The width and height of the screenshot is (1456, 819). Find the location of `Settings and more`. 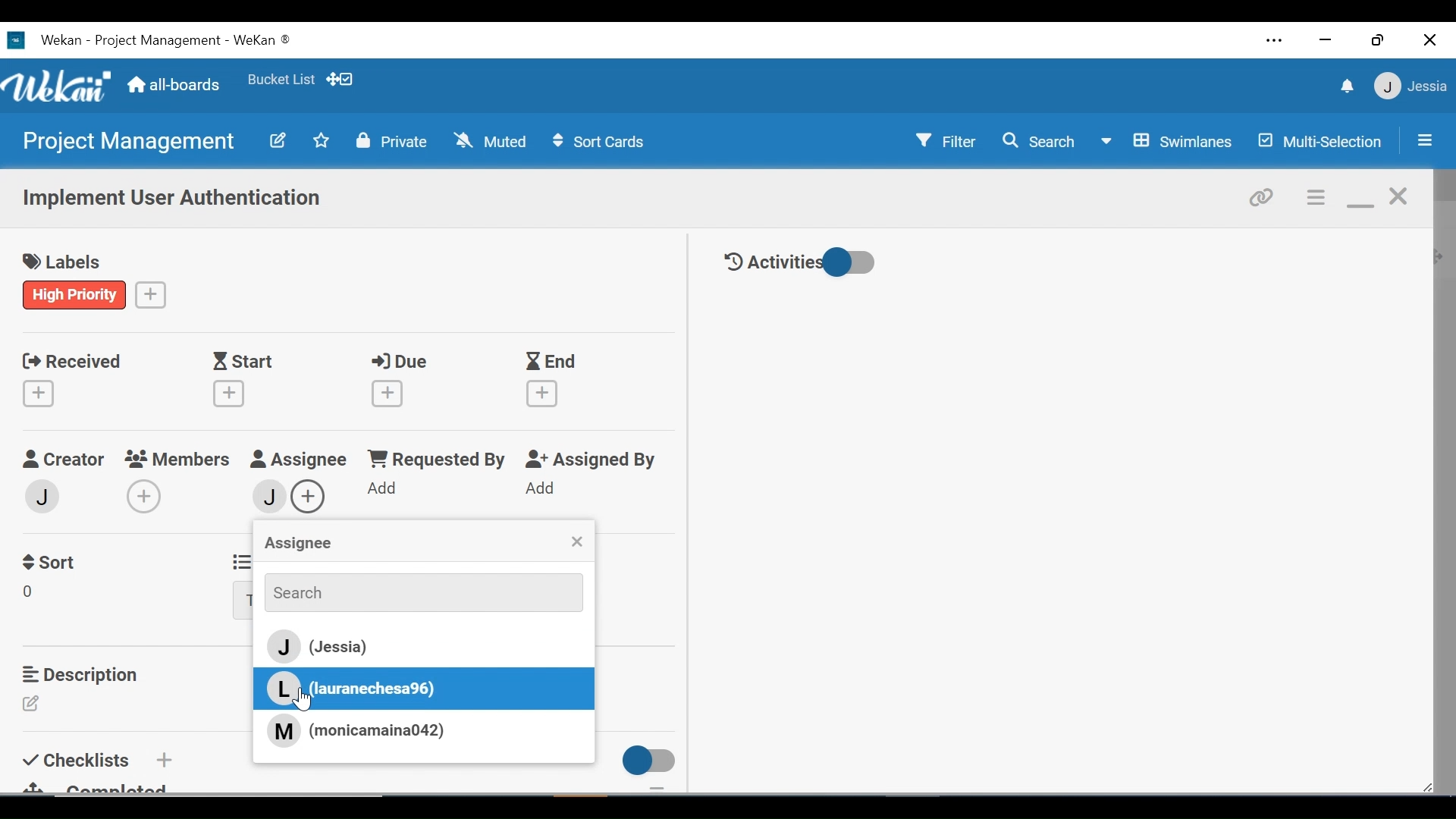

Settings and more is located at coordinates (1276, 42).